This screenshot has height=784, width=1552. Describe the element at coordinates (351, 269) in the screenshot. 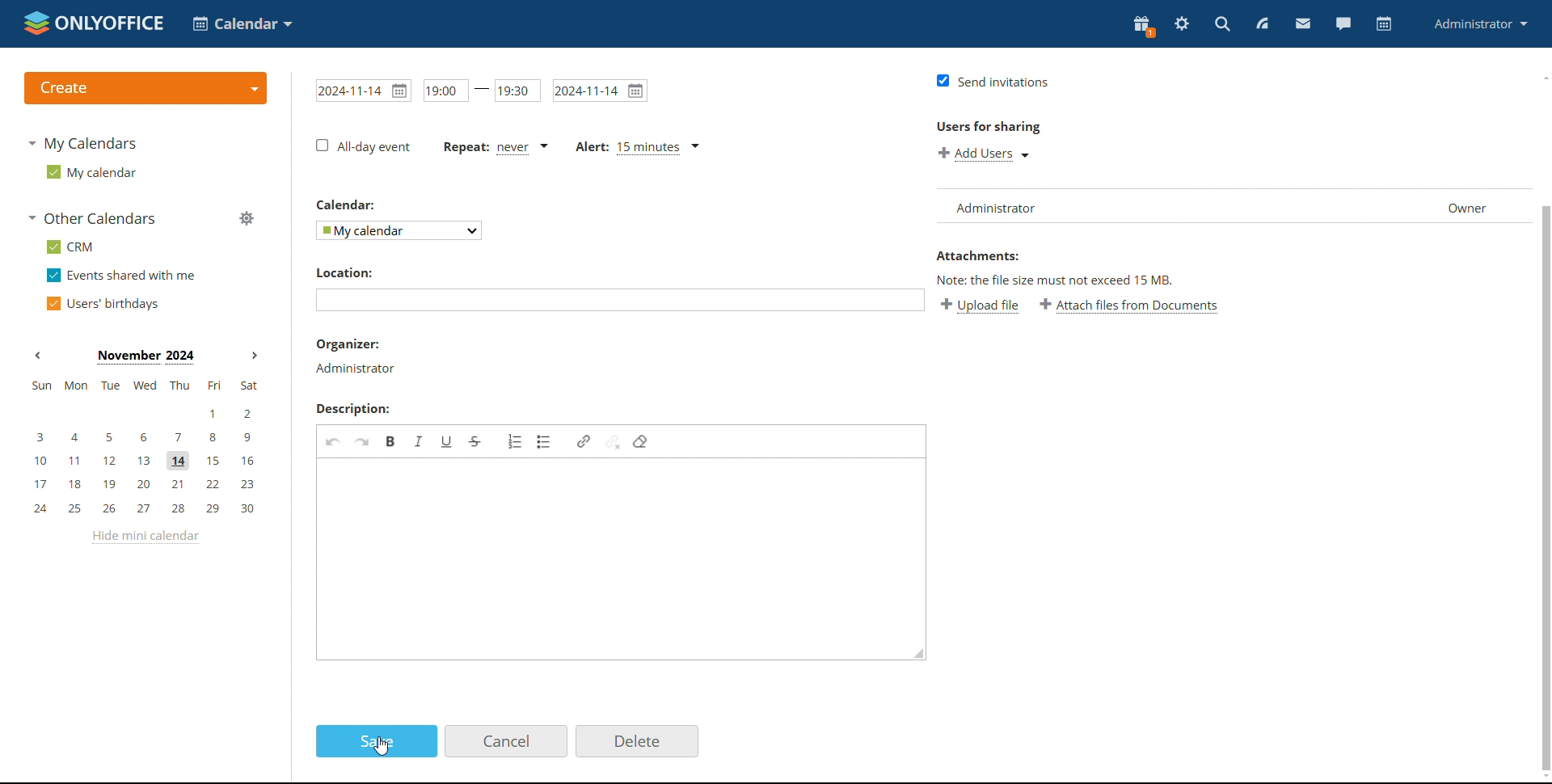

I see `location:` at that location.